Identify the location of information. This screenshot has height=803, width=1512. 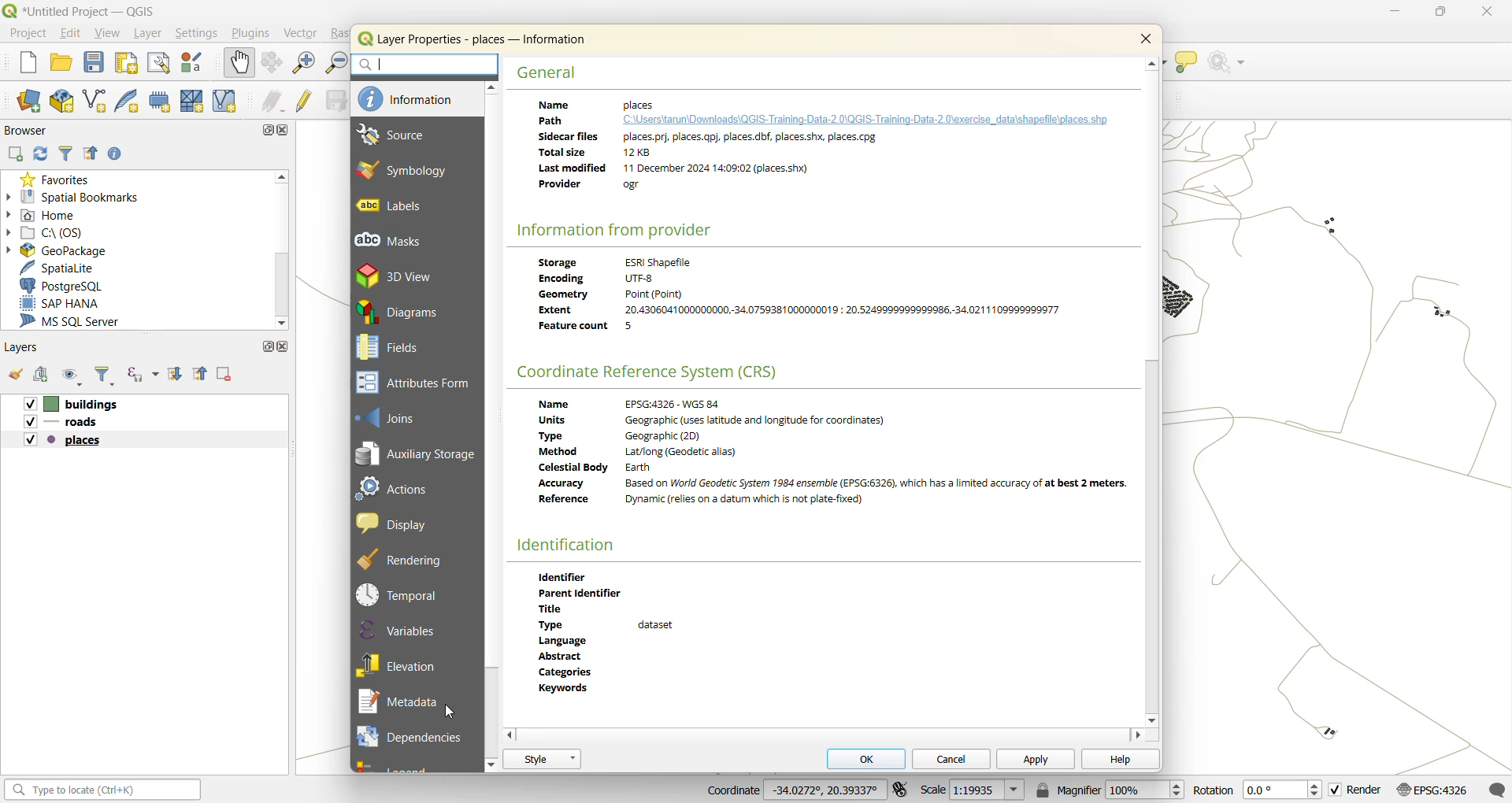
(416, 98).